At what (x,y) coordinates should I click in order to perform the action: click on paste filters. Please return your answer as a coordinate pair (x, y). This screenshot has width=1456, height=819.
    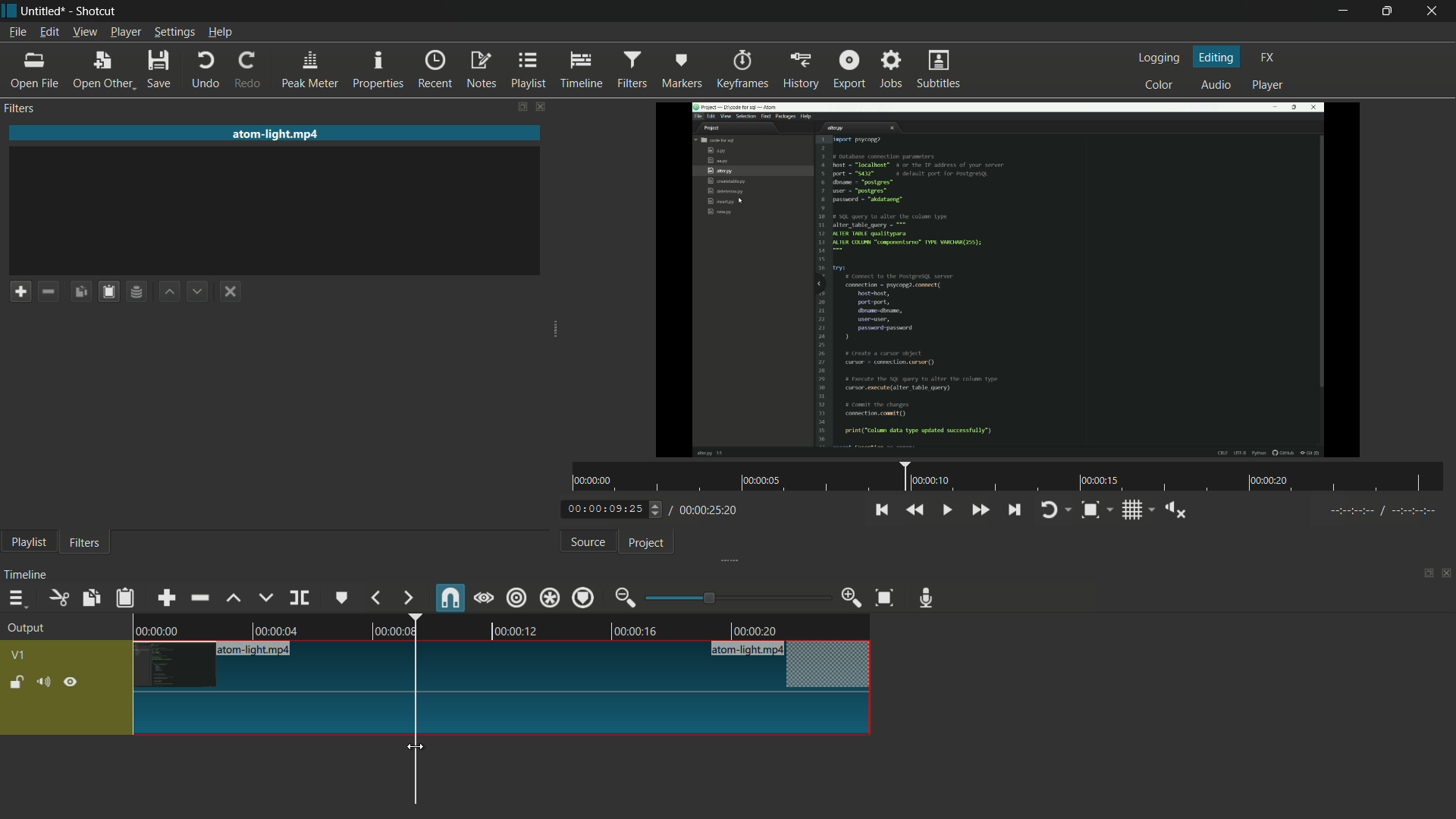
    Looking at the image, I should click on (111, 291).